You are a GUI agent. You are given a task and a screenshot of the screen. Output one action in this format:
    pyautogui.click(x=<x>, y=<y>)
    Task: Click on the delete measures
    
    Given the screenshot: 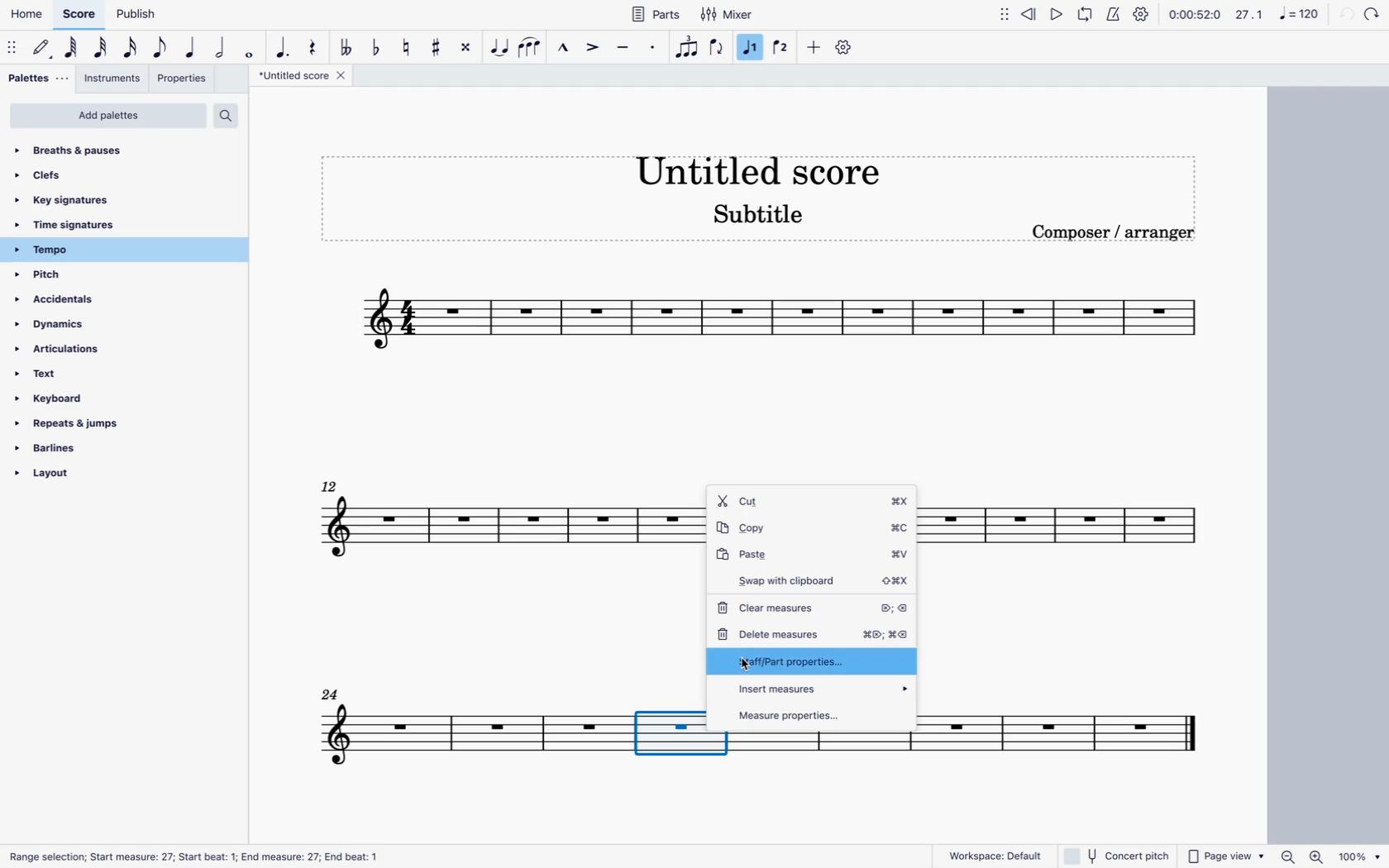 What is the action you would take?
    pyautogui.click(x=813, y=635)
    